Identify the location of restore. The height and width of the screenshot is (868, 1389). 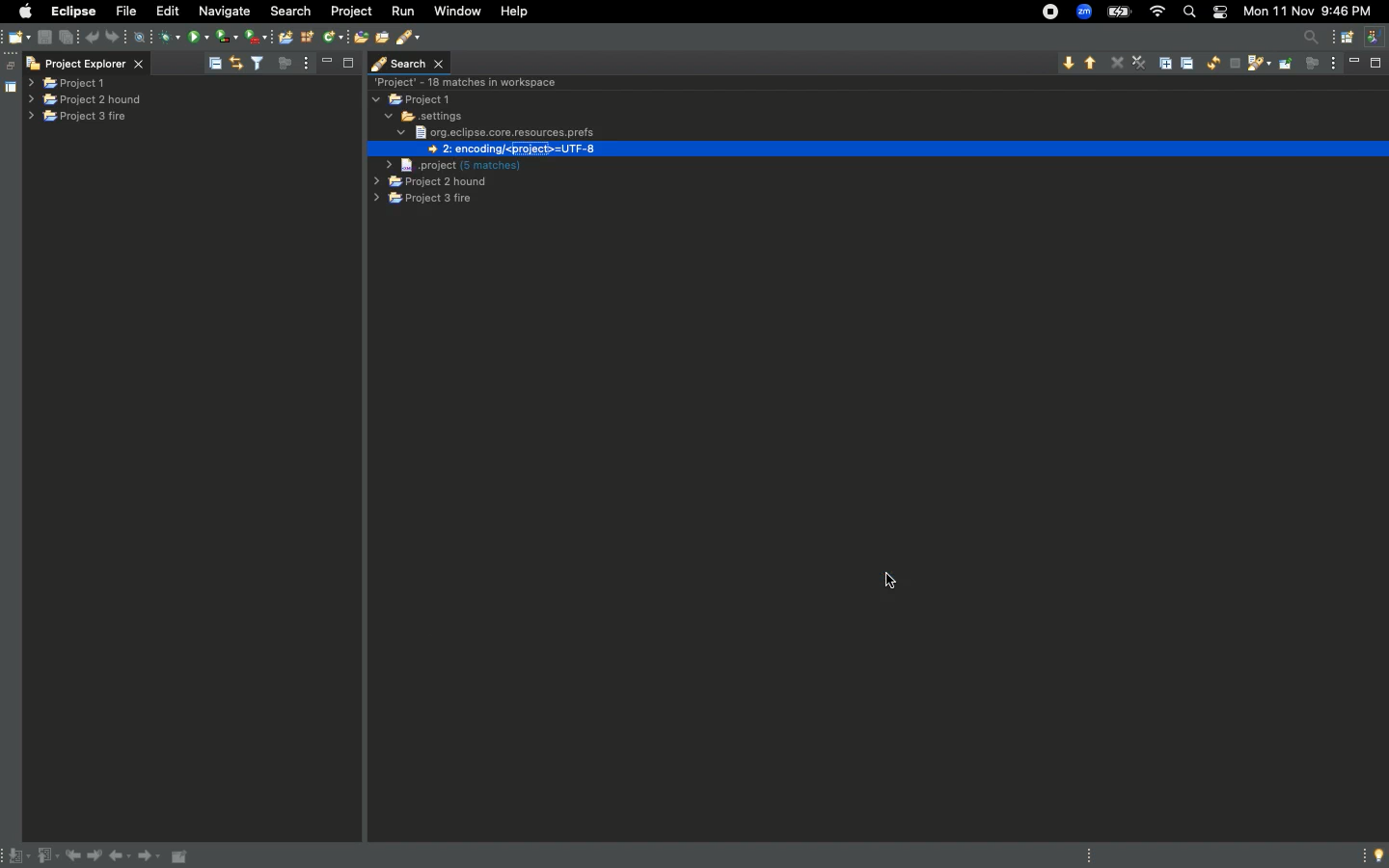
(9, 60).